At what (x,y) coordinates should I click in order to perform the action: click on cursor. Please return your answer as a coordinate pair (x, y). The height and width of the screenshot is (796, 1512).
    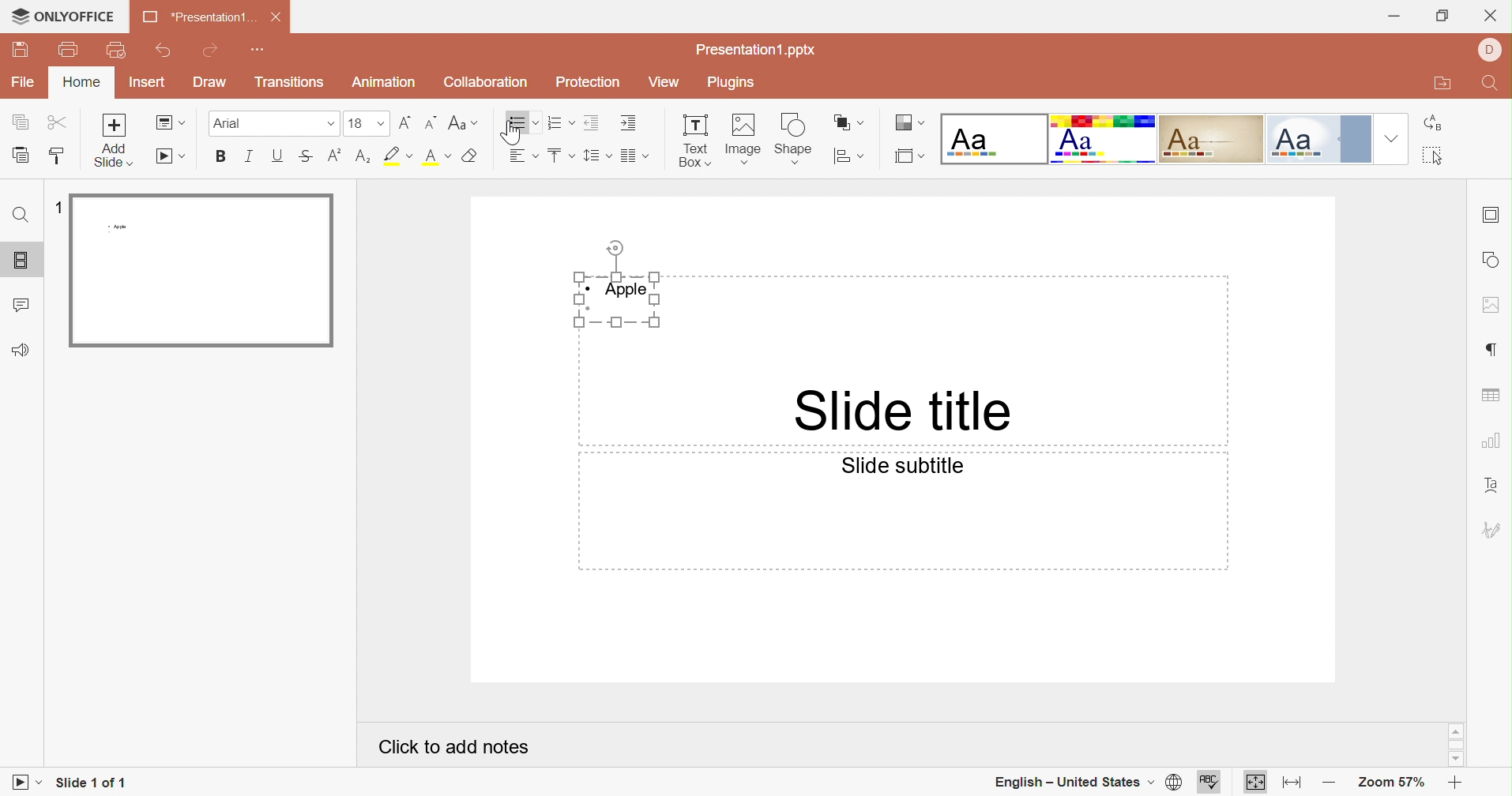
    Looking at the image, I should click on (17, 15).